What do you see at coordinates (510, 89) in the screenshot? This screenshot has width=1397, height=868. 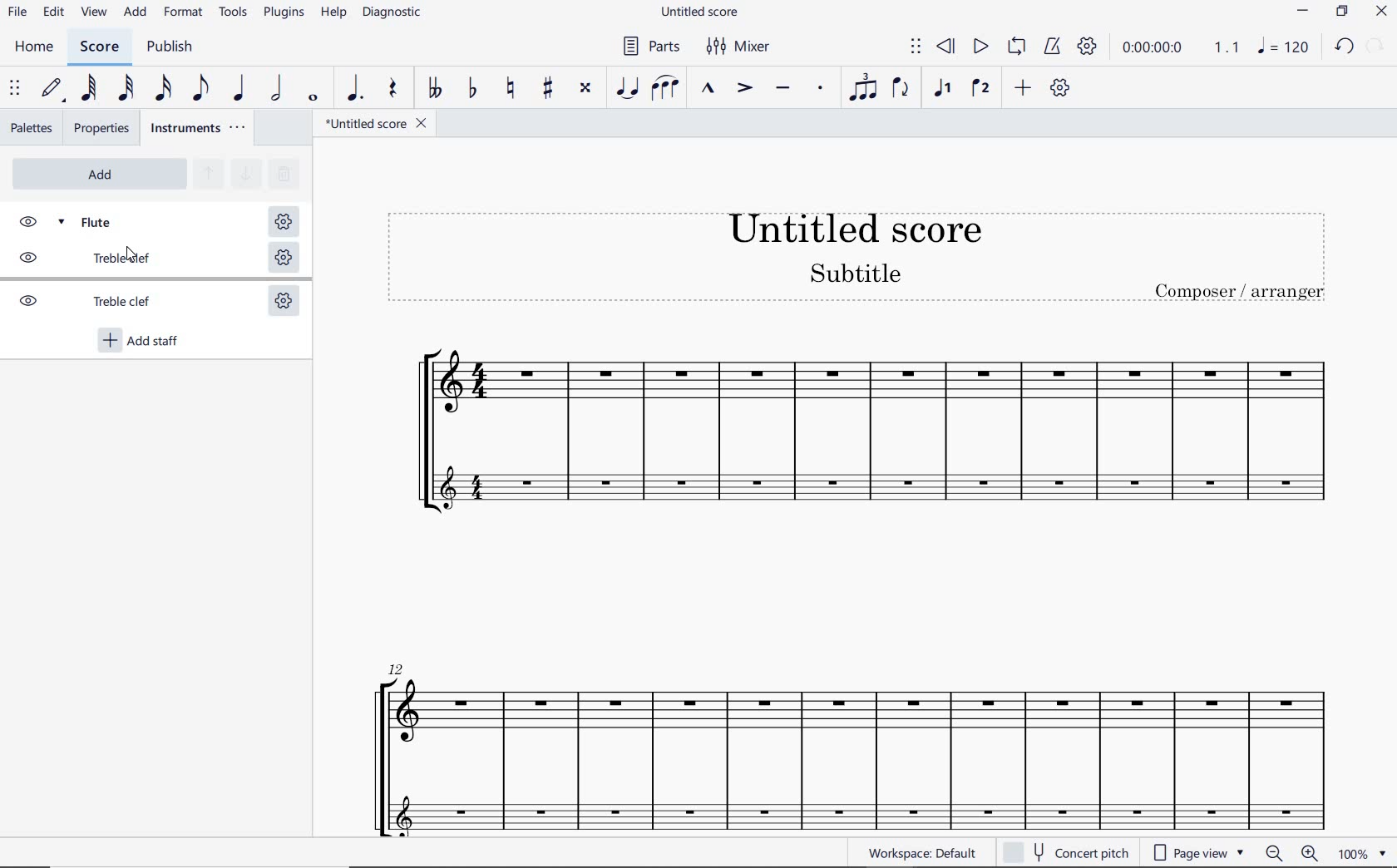 I see `TOGGLE NATURAL` at bounding box center [510, 89].